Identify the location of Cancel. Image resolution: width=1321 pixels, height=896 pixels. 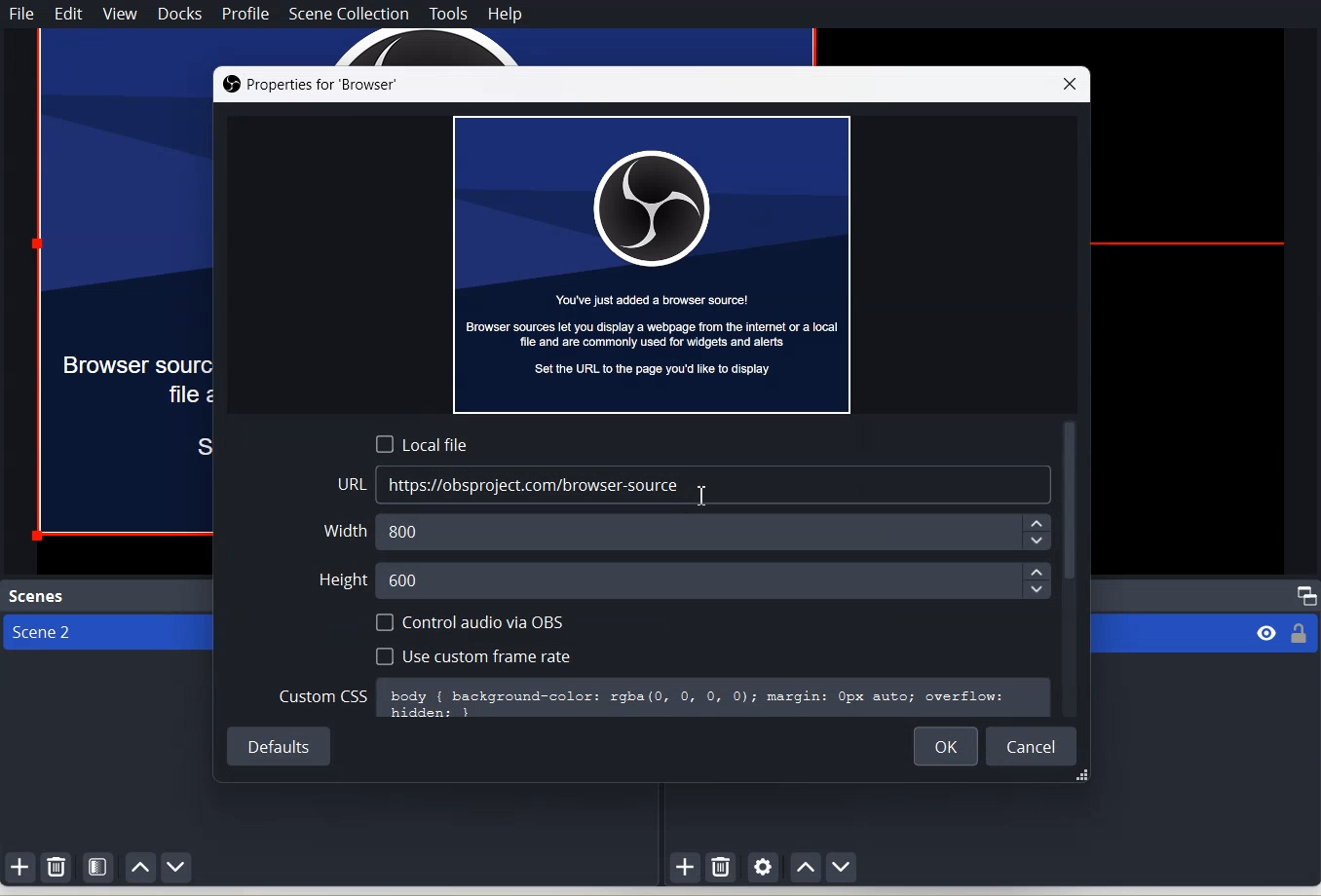
(1034, 745).